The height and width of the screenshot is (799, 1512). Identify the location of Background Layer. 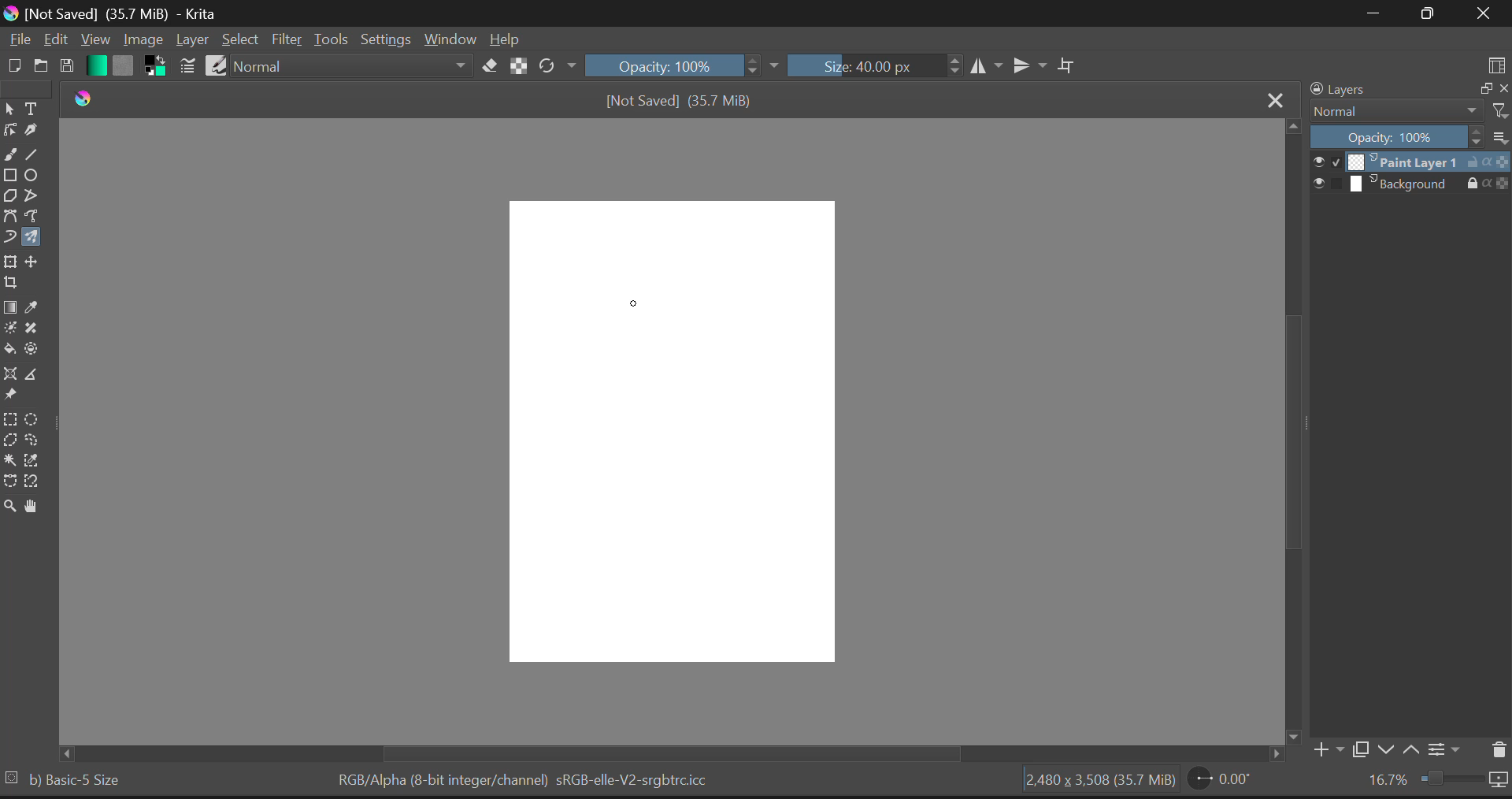
(1410, 185).